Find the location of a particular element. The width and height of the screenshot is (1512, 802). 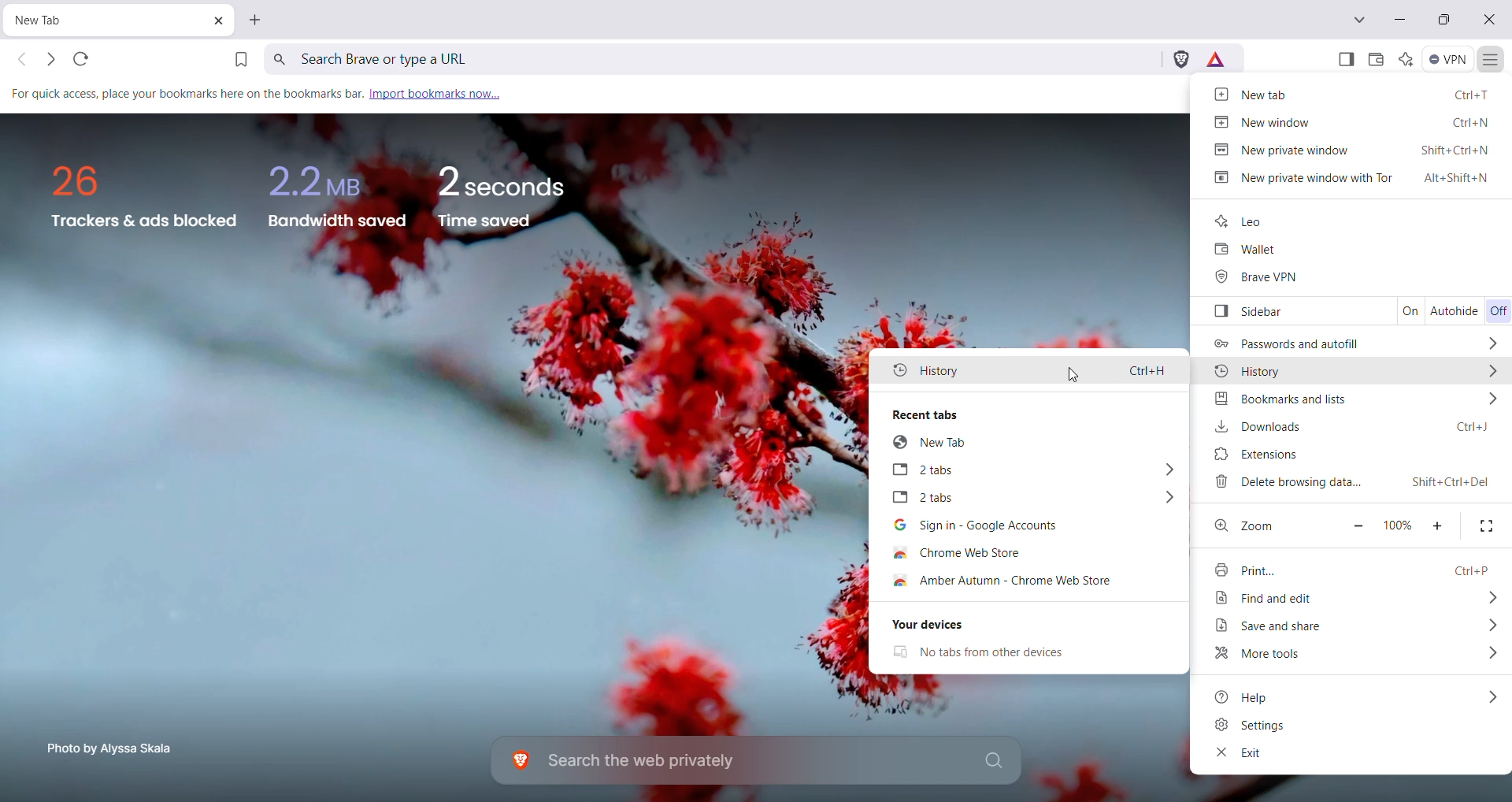

Wallet is located at coordinates (1240, 251).